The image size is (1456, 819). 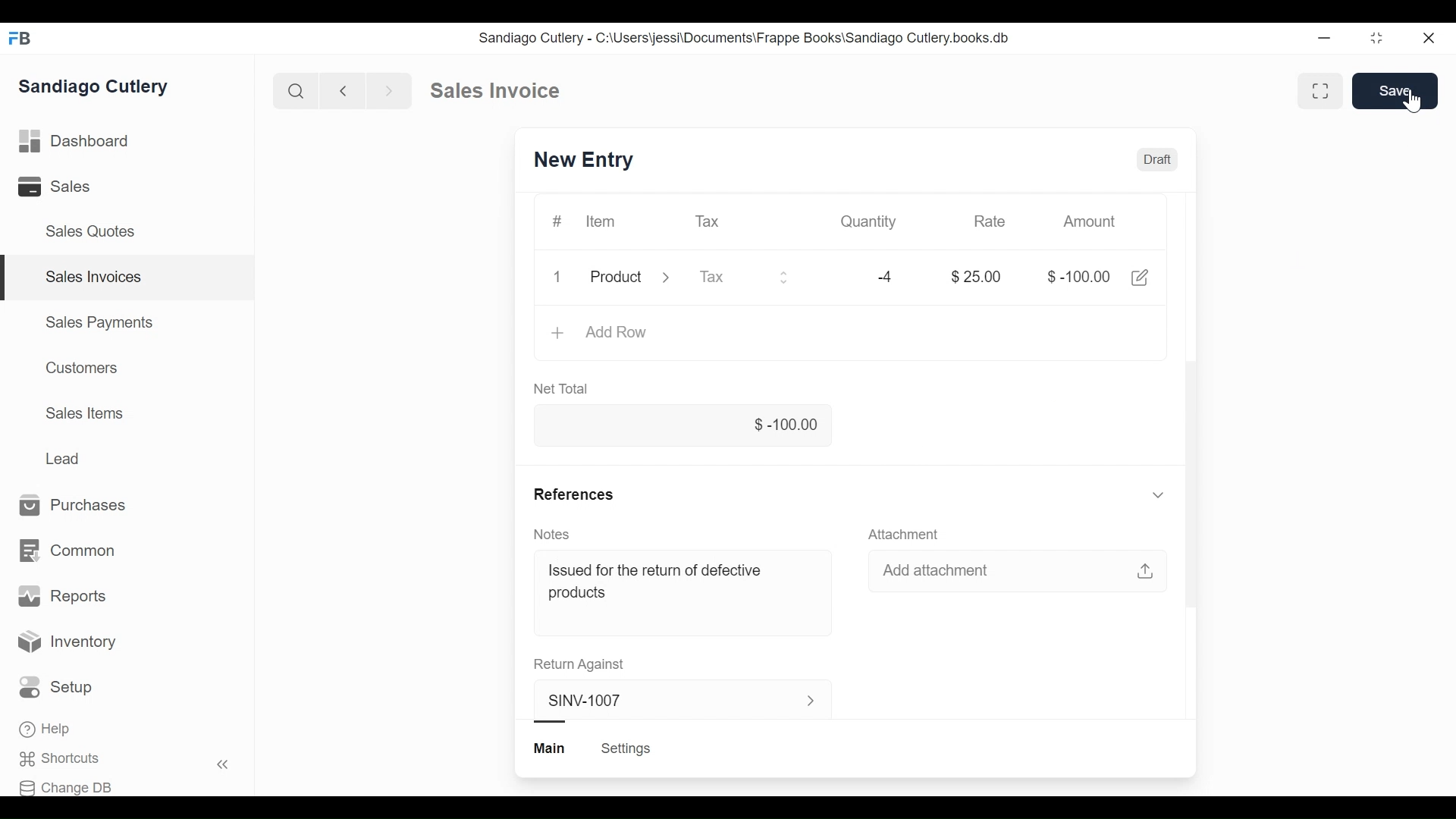 What do you see at coordinates (95, 277) in the screenshot?
I see `Sales Invoices` at bounding box center [95, 277].